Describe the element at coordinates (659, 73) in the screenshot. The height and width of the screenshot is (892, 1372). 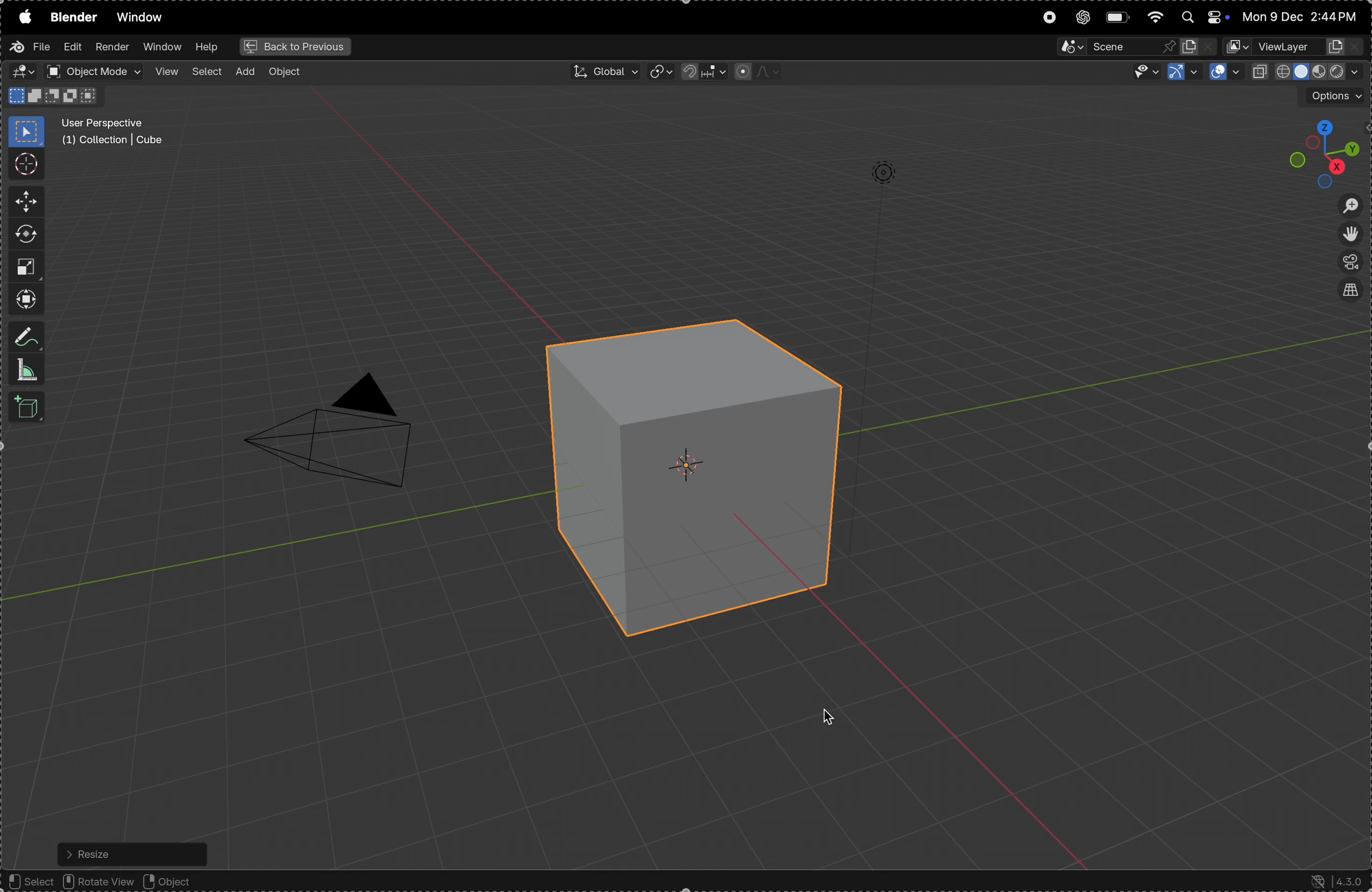
I see `transform pviot` at that location.